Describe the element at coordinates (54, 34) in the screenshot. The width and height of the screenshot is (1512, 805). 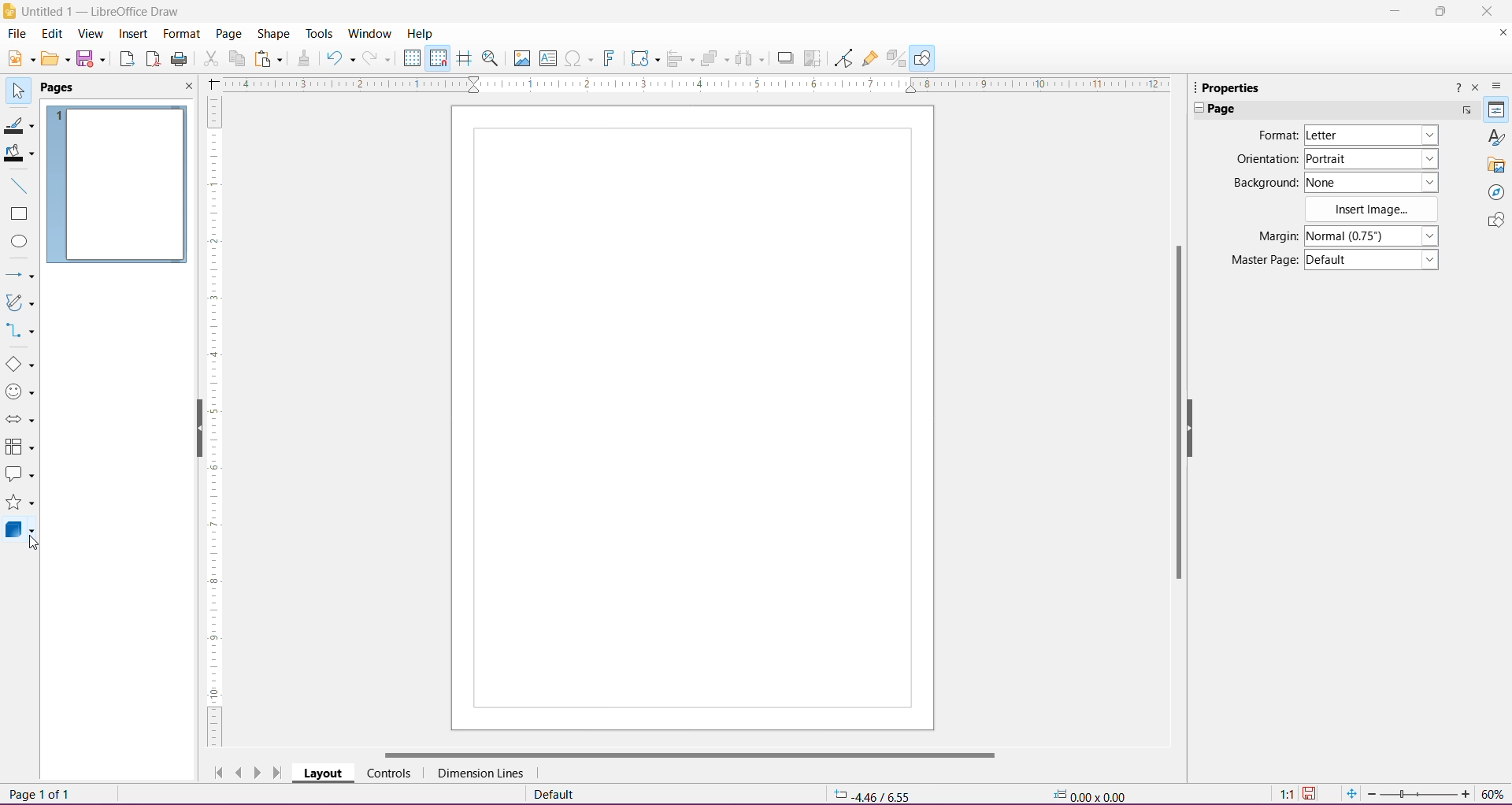
I see `Edit` at that location.